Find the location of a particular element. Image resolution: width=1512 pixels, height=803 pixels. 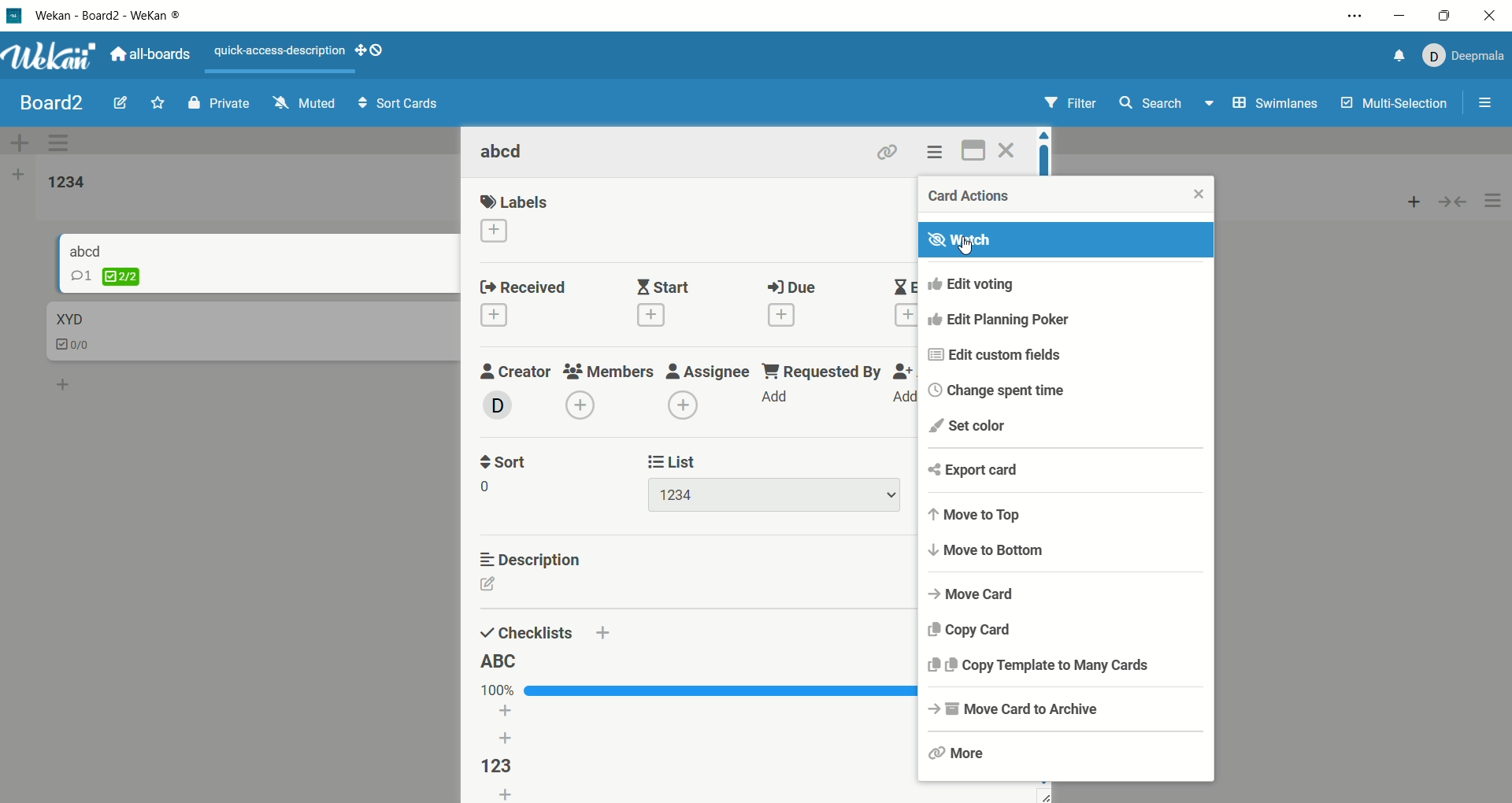

notification is located at coordinates (1398, 57).